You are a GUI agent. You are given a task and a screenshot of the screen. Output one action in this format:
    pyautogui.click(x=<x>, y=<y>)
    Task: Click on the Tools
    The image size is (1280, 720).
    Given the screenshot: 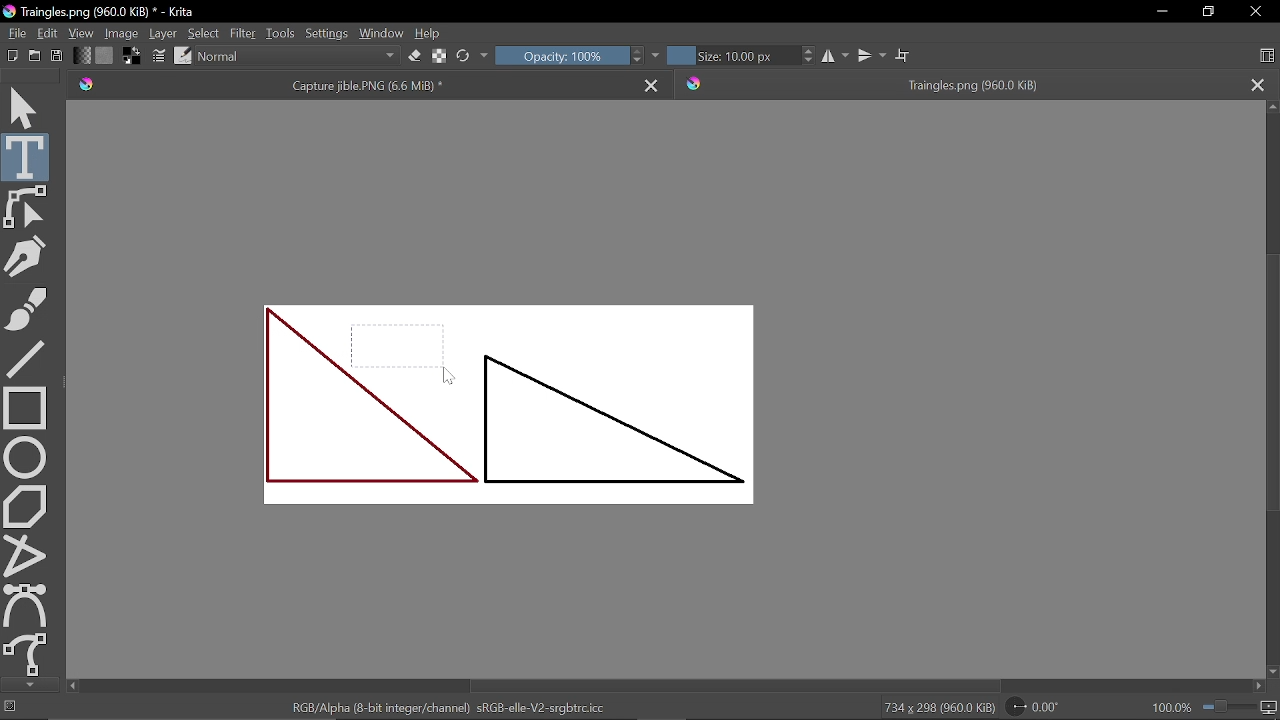 What is the action you would take?
    pyautogui.click(x=279, y=35)
    